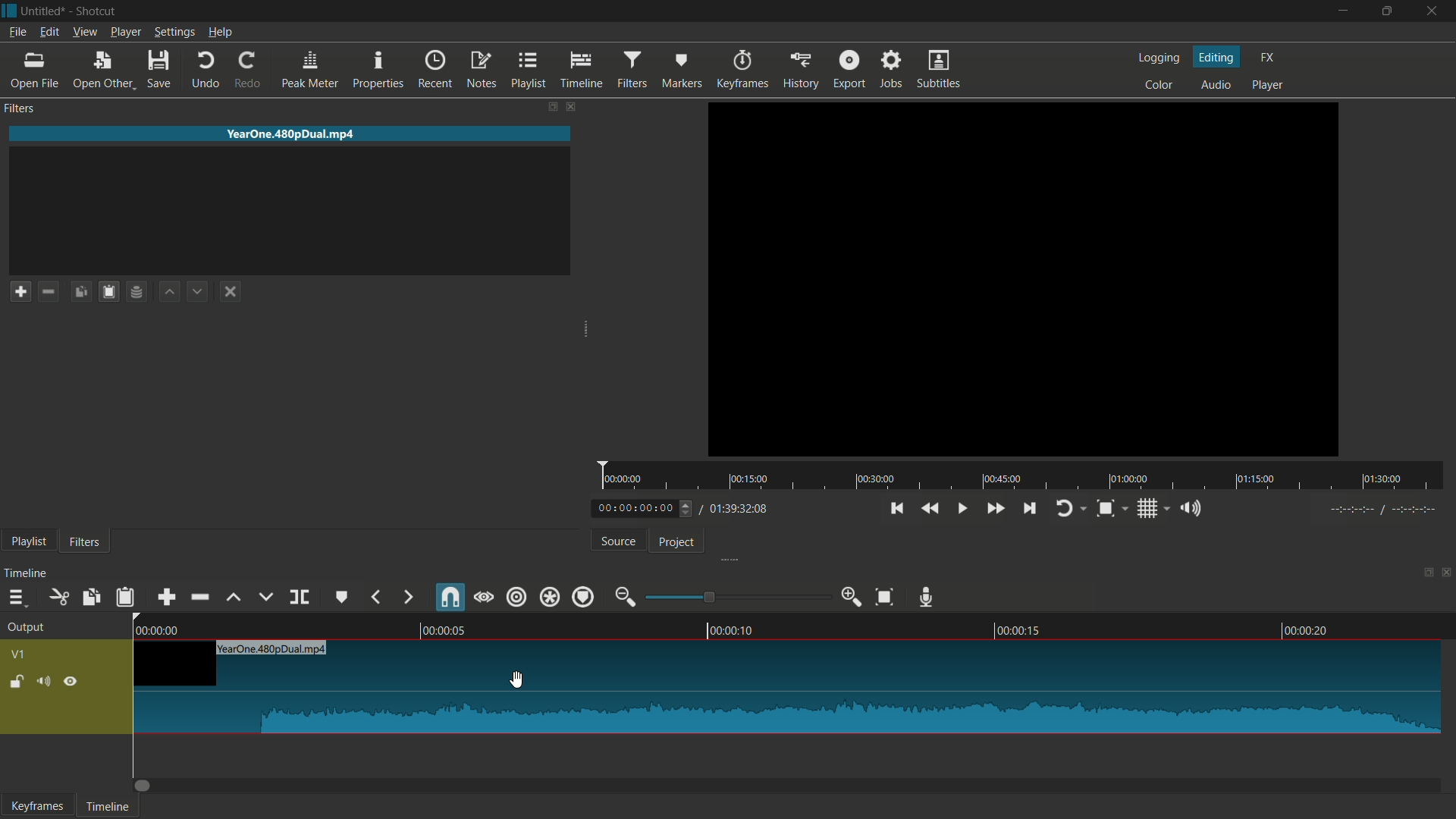  I want to click on view menu, so click(85, 33).